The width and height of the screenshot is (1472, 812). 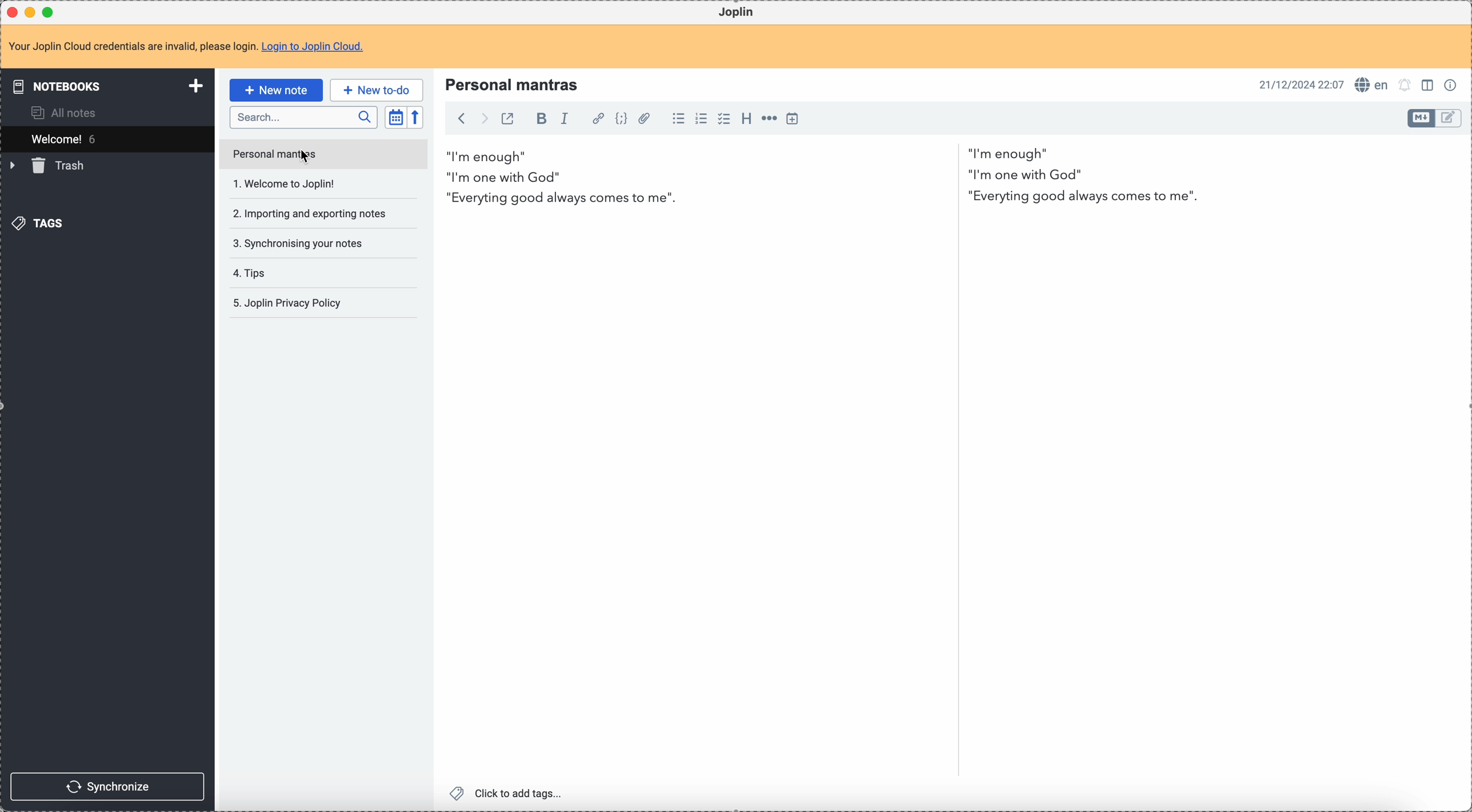 What do you see at coordinates (509, 792) in the screenshot?
I see `click to add tags` at bounding box center [509, 792].